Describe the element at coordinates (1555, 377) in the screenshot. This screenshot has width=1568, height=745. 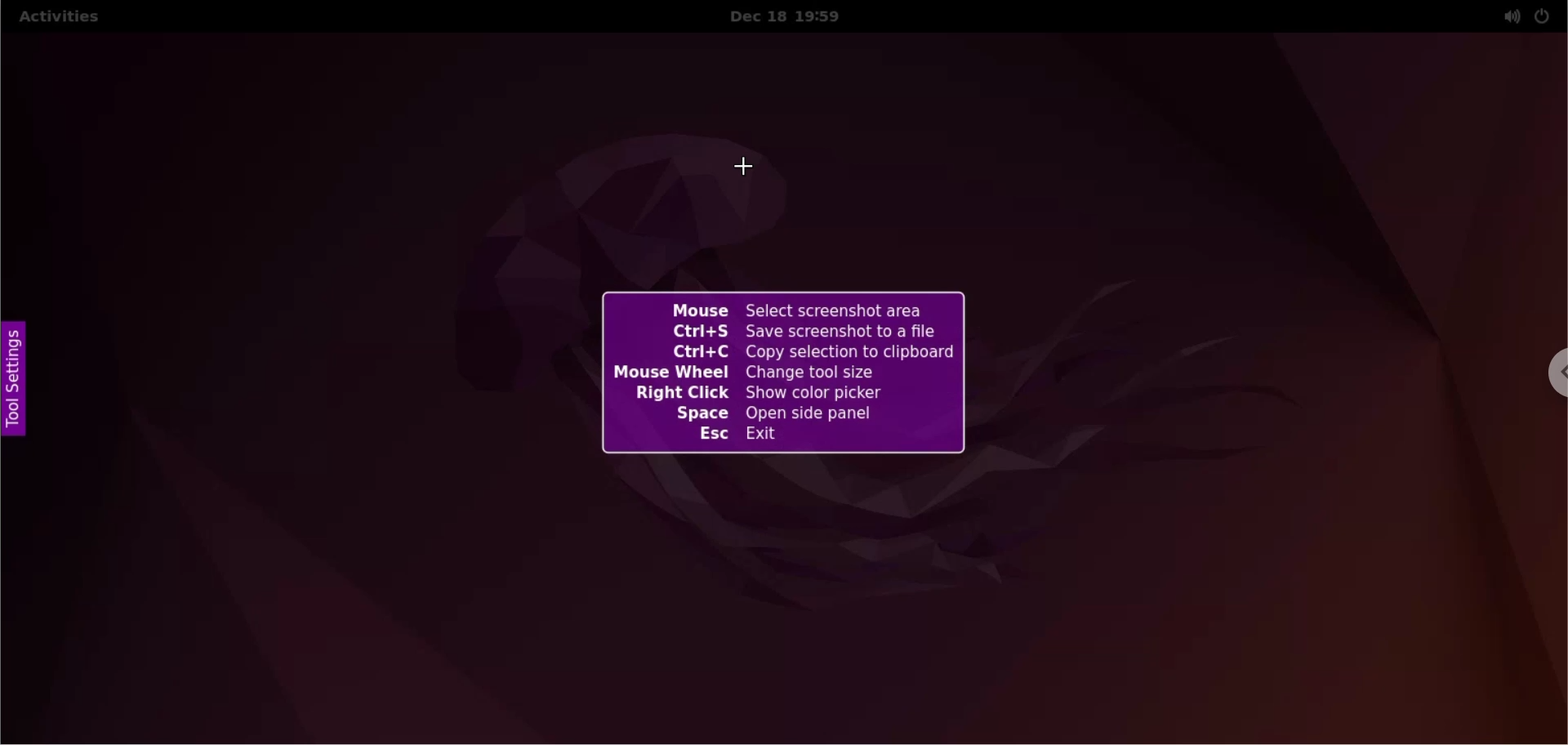
I see `chrome options` at that location.